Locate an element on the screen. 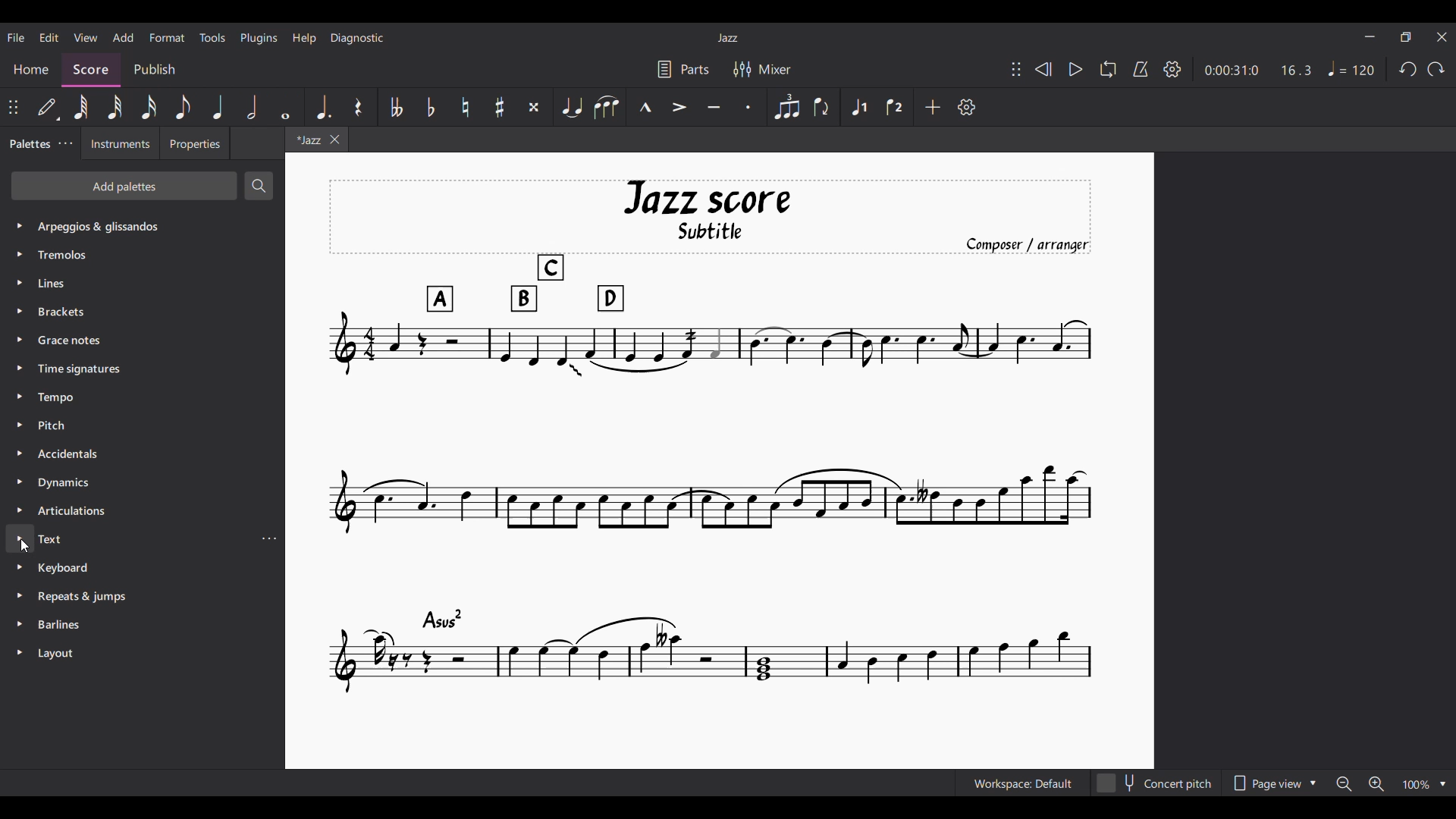 This screenshot has height=819, width=1456. 8th note is located at coordinates (184, 107).